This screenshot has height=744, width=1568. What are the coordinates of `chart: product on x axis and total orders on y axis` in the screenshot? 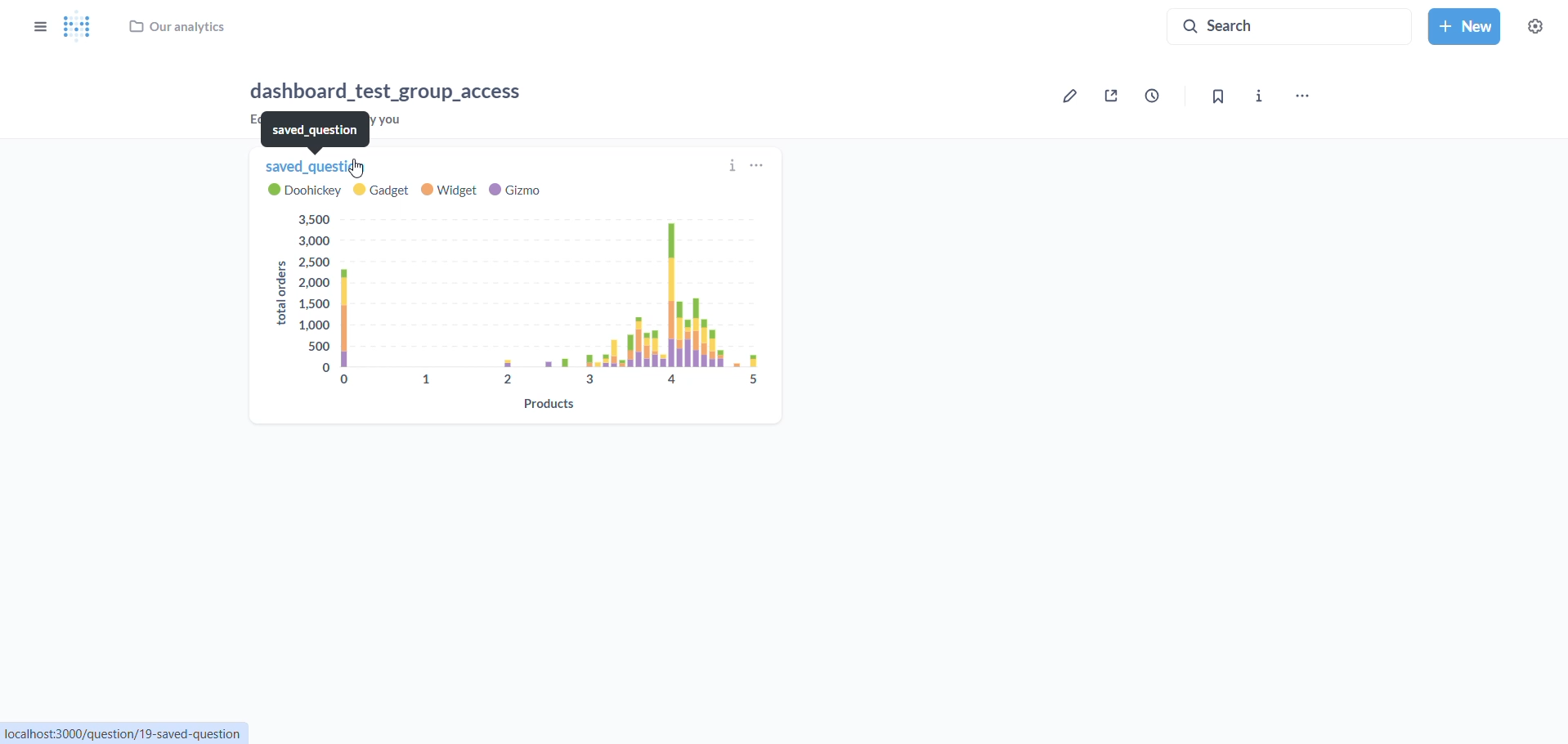 It's located at (539, 303).